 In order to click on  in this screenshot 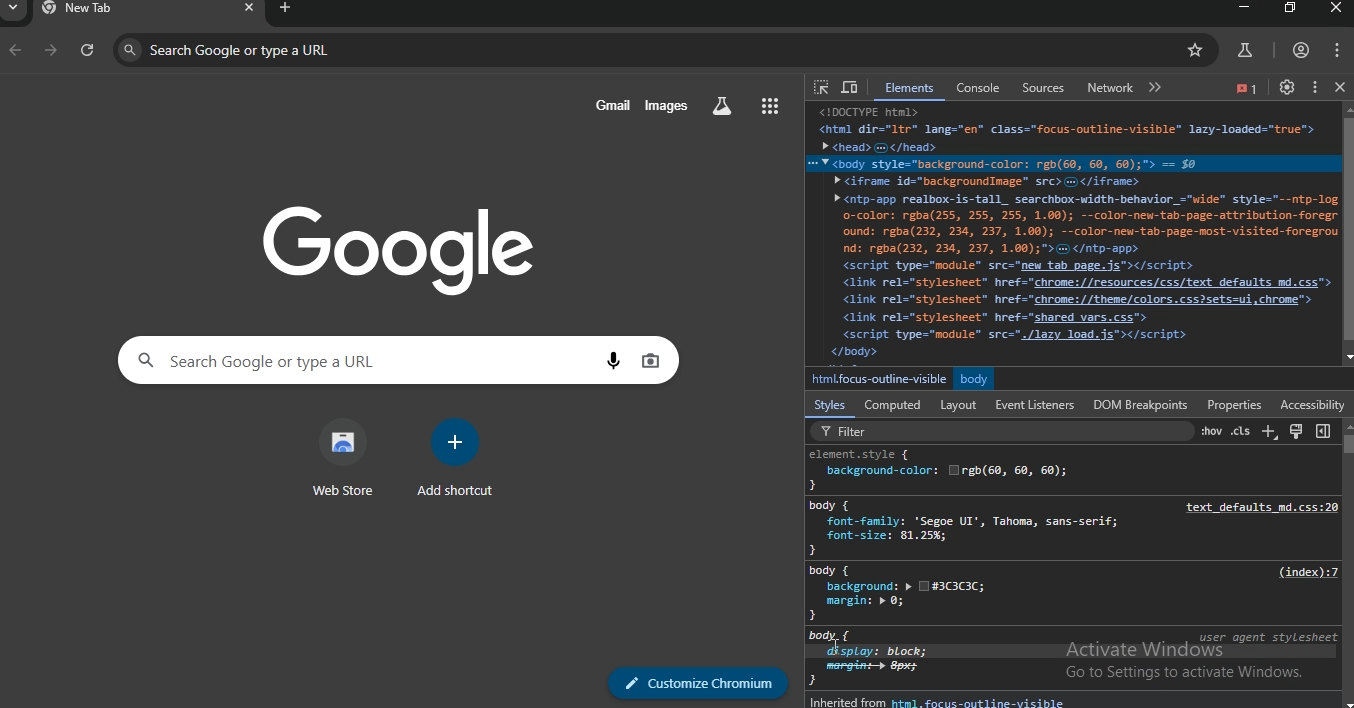, I will do `click(1316, 88)`.